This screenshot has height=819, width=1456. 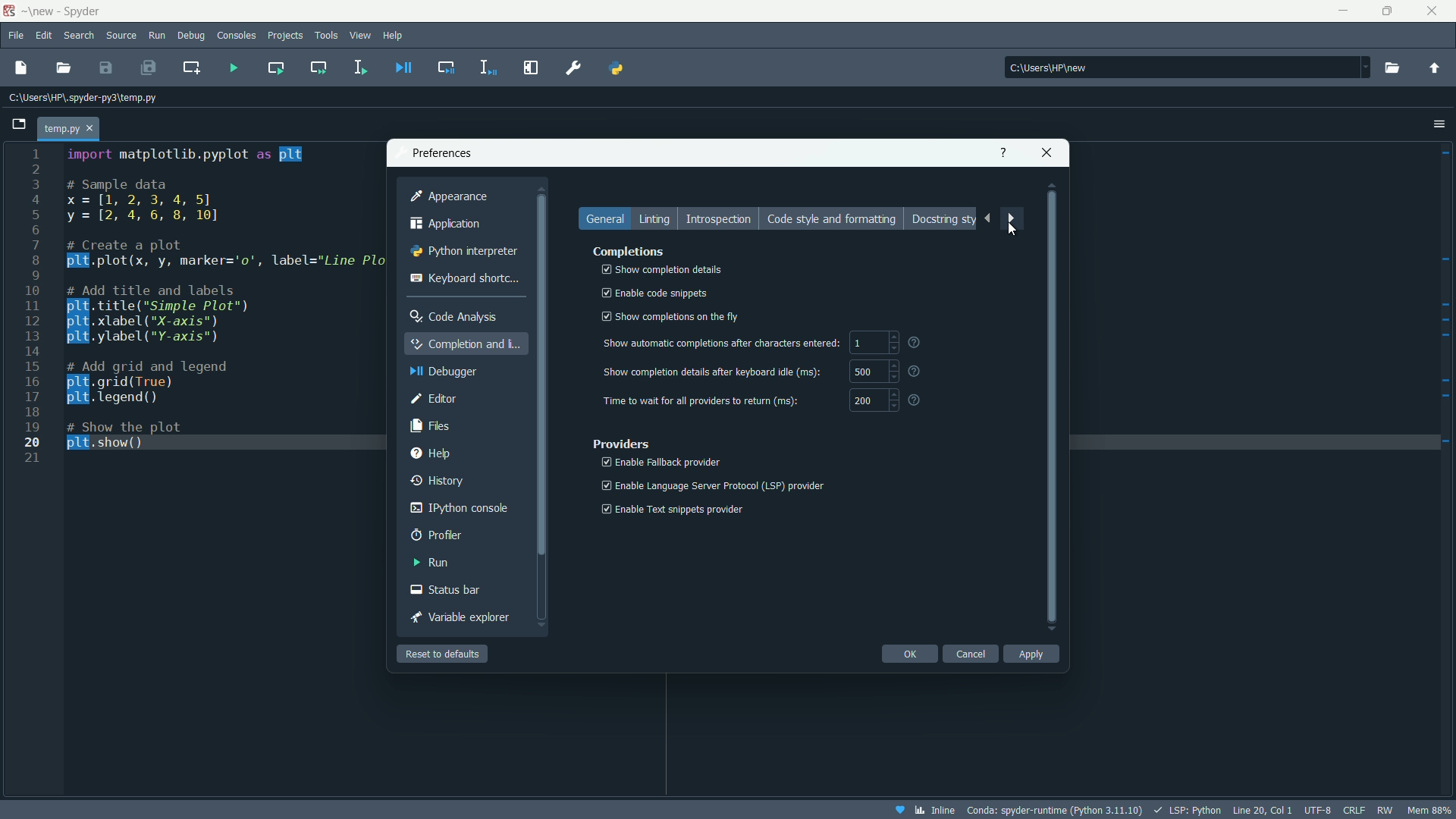 What do you see at coordinates (923, 810) in the screenshot?
I see `inline` at bounding box center [923, 810].